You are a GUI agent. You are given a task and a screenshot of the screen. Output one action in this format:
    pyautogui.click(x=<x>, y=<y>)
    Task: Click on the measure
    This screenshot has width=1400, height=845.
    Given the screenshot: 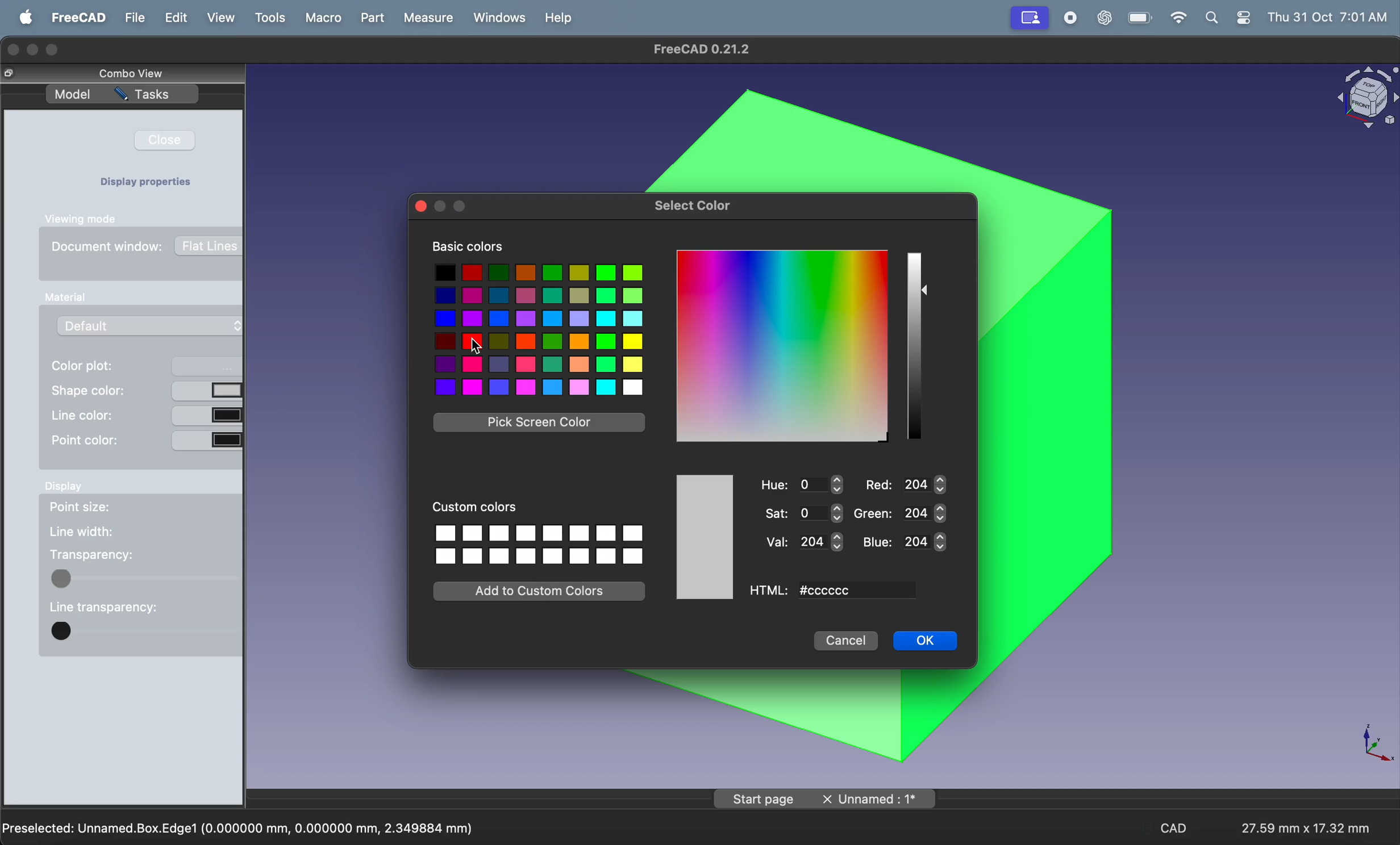 What is the action you would take?
    pyautogui.click(x=427, y=19)
    